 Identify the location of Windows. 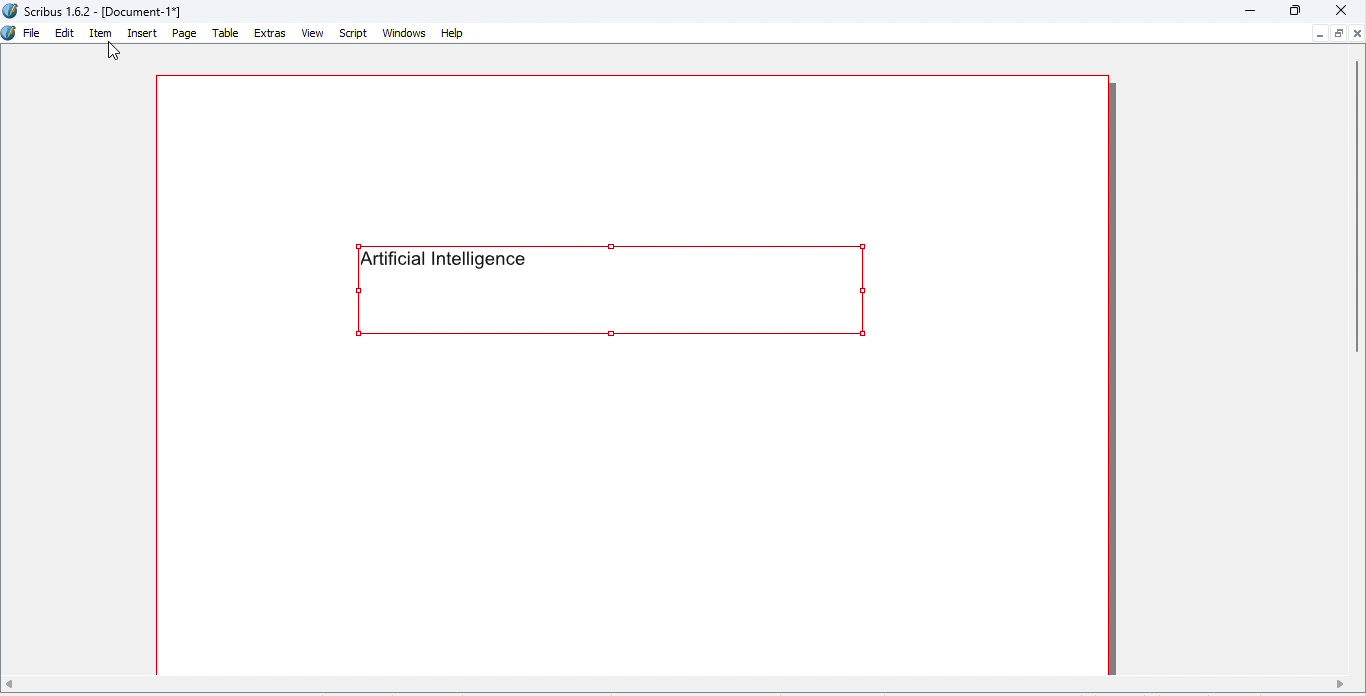
(405, 34).